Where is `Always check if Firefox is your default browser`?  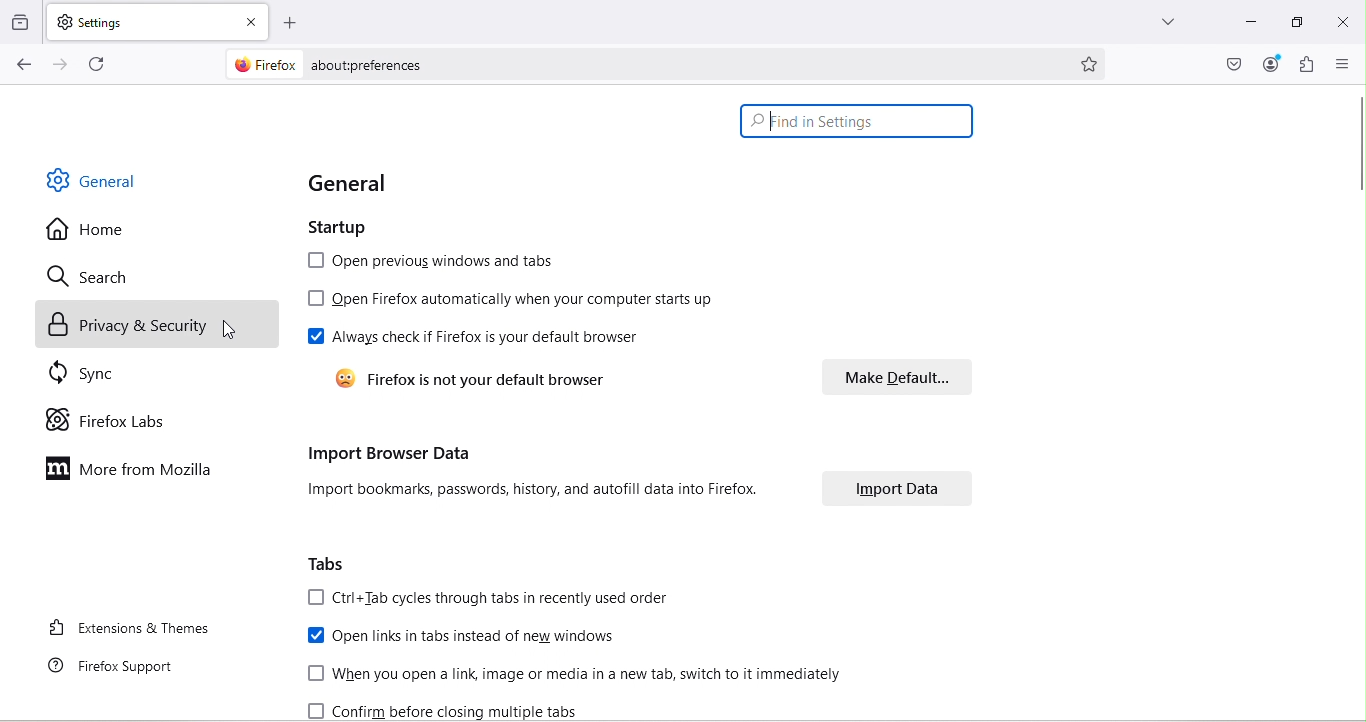 Always check if Firefox is your default browser is located at coordinates (481, 338).